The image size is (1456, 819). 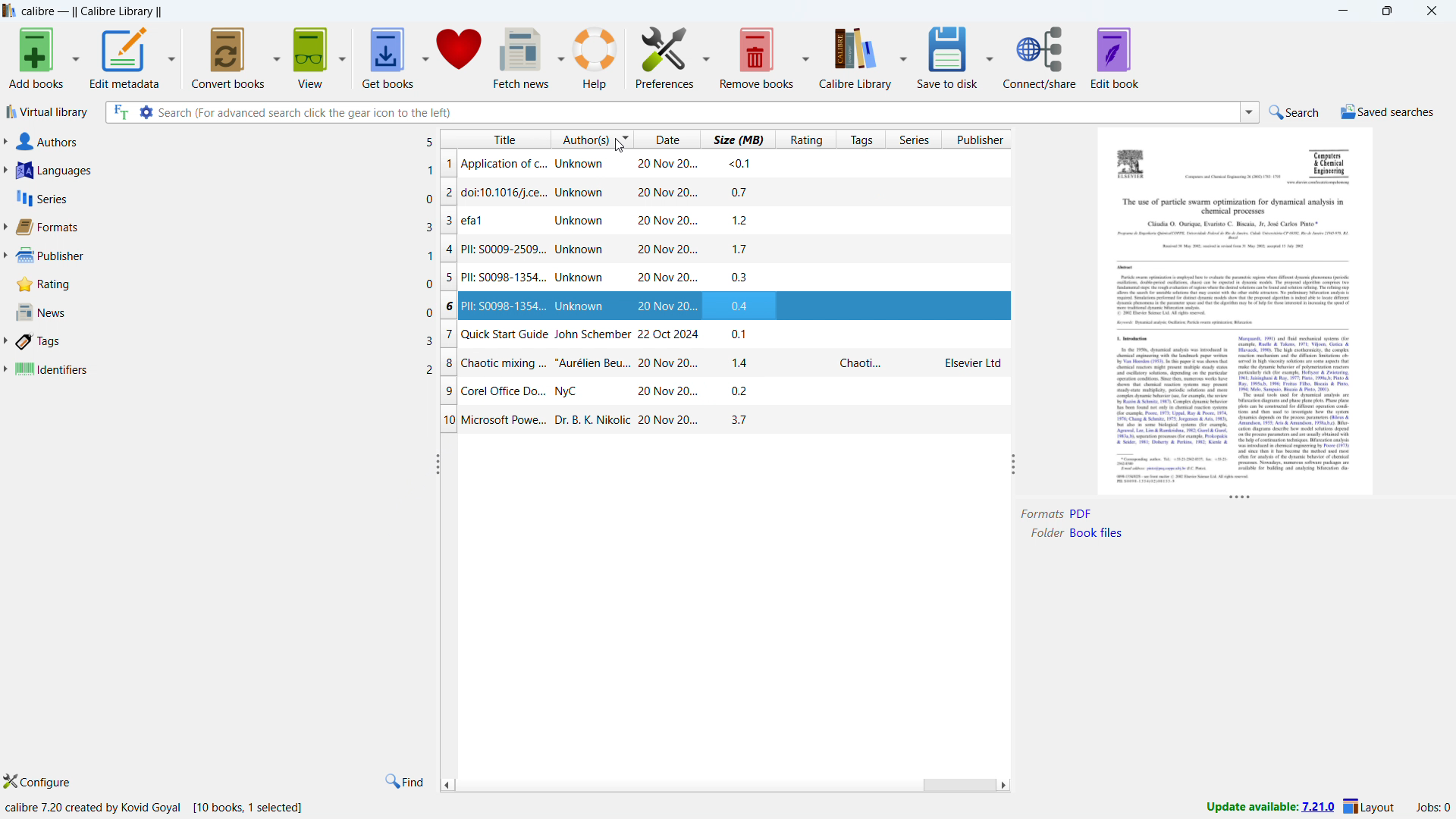 What do you see at coordinates (343, 58) in the screenshot?
I see `view options` at bounding box center [343, 58].